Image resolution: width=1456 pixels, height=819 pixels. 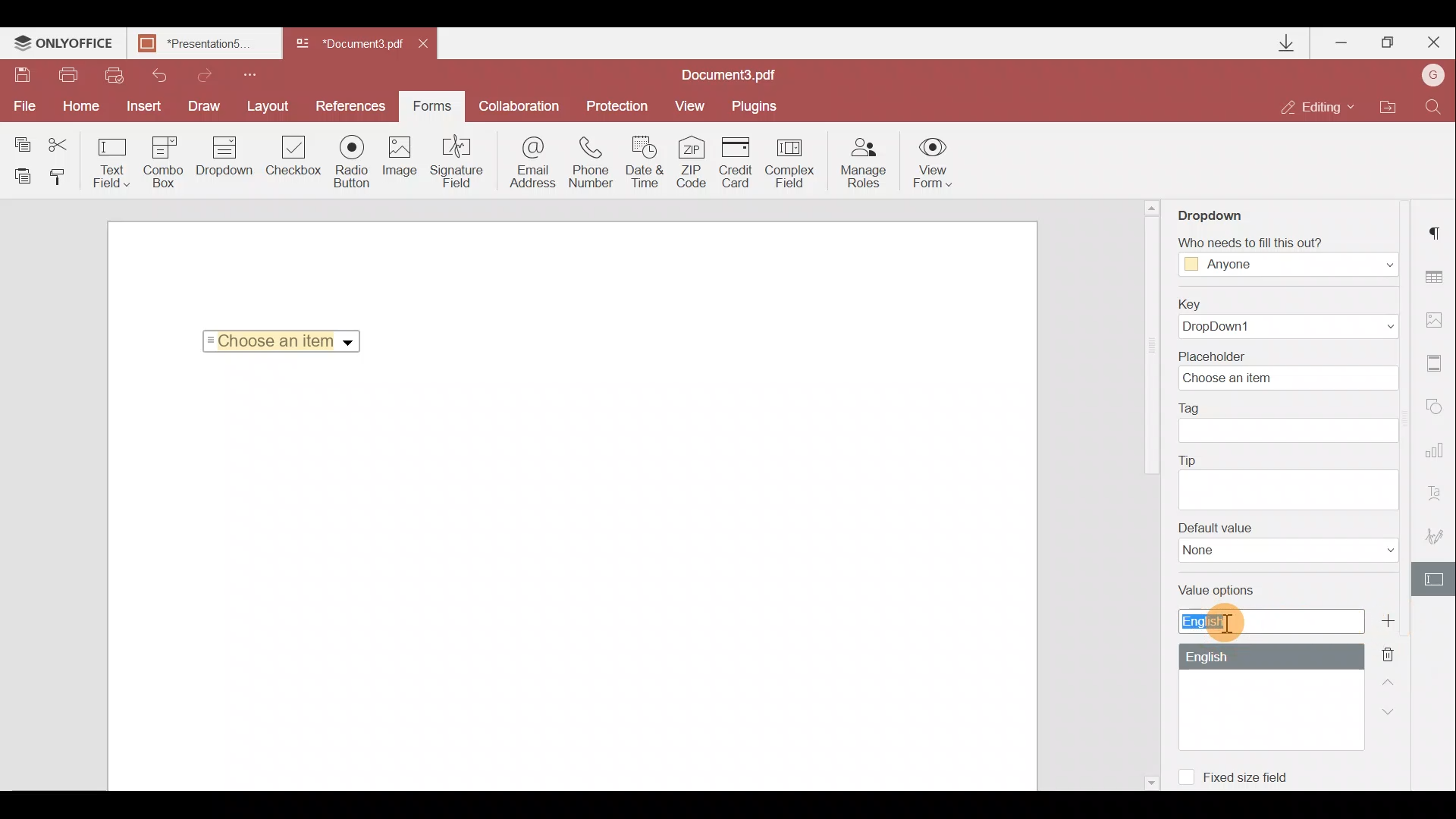 What do you see at coordinates (1429, 77) in the screenshot?
I see `Account name` at bounding box center [1429, 77].